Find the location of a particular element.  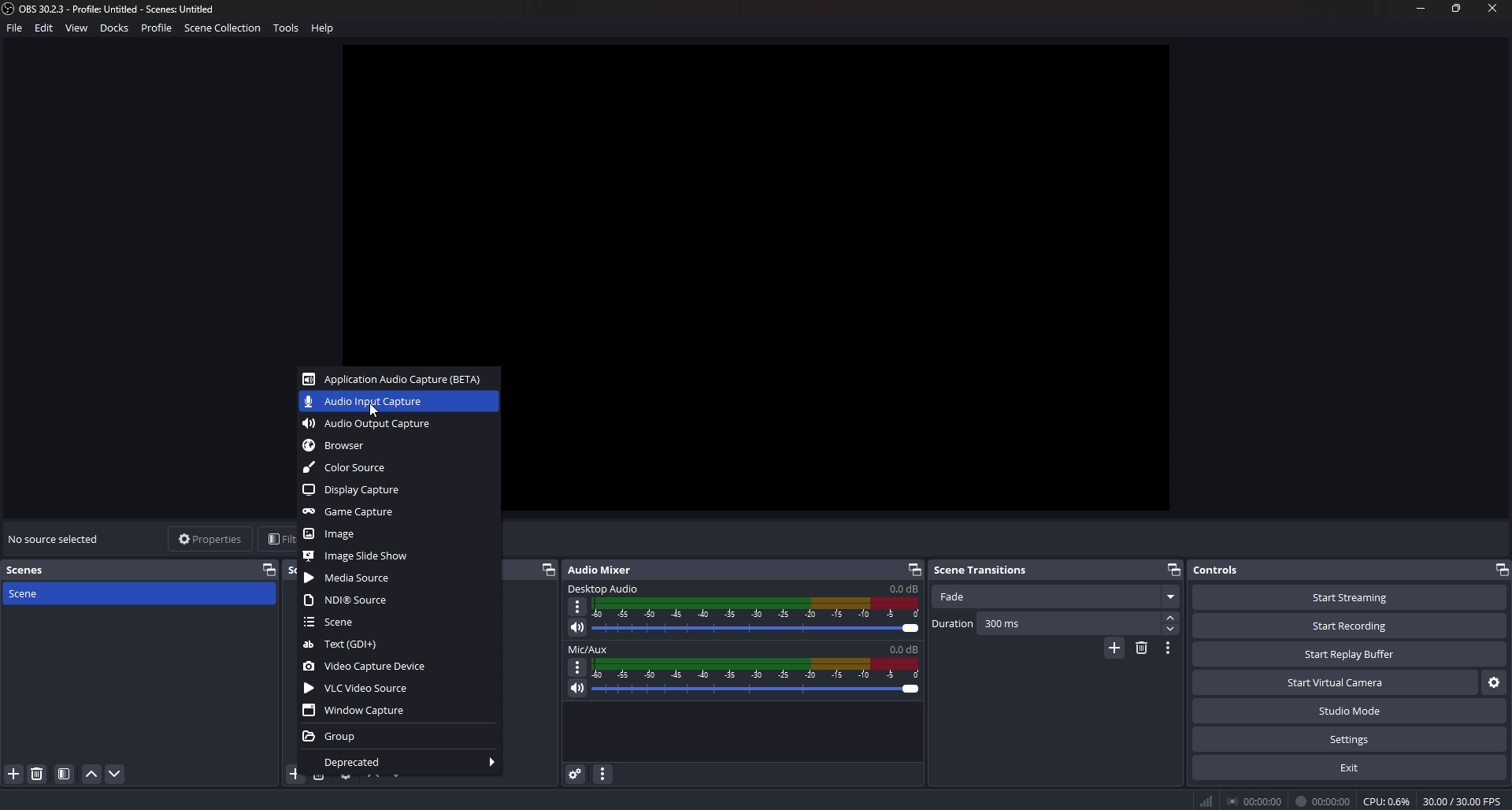

Edit is located at coordinates (45, 31).